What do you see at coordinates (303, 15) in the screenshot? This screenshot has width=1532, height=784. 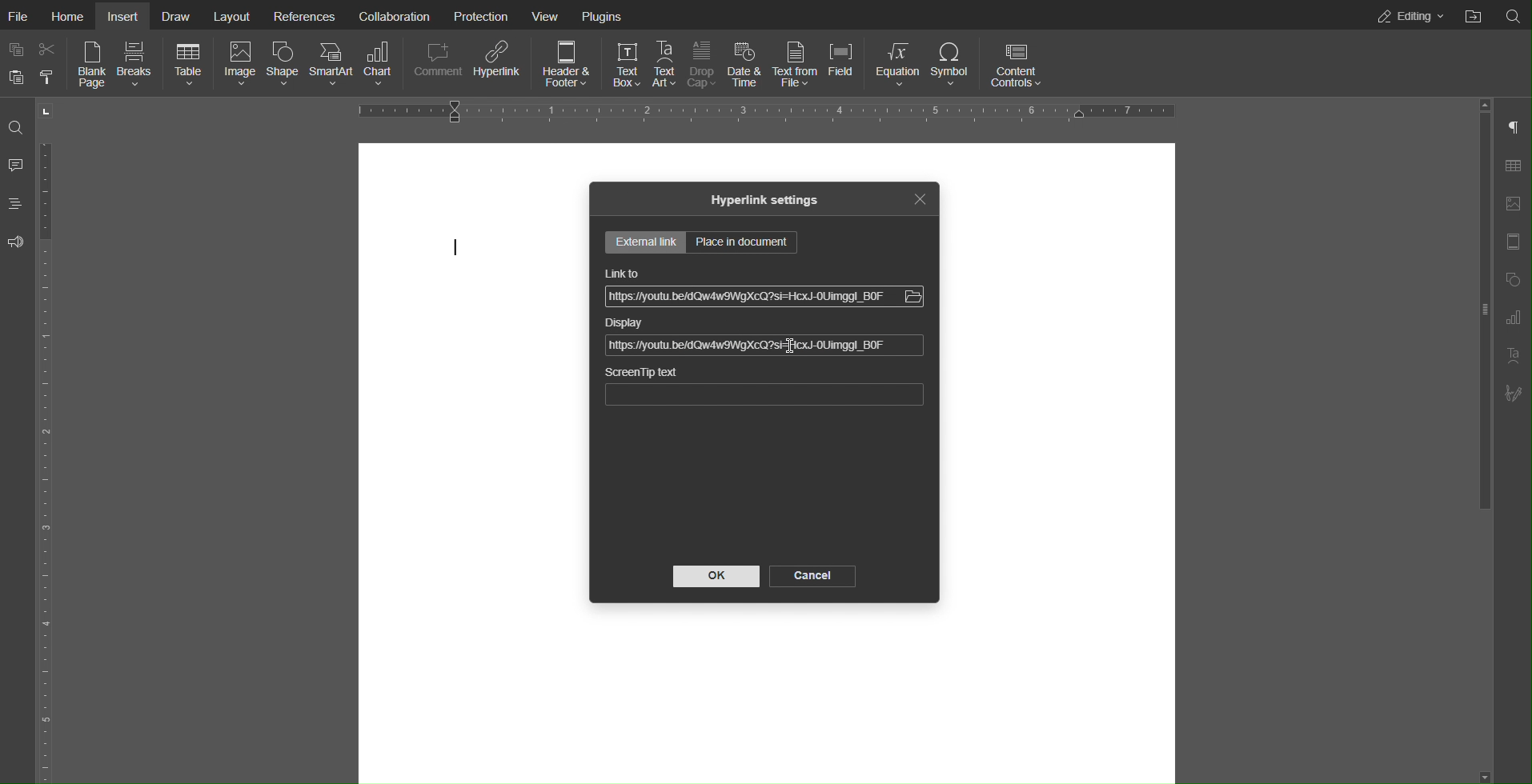 I see `References` at bounding box center [303, 15].